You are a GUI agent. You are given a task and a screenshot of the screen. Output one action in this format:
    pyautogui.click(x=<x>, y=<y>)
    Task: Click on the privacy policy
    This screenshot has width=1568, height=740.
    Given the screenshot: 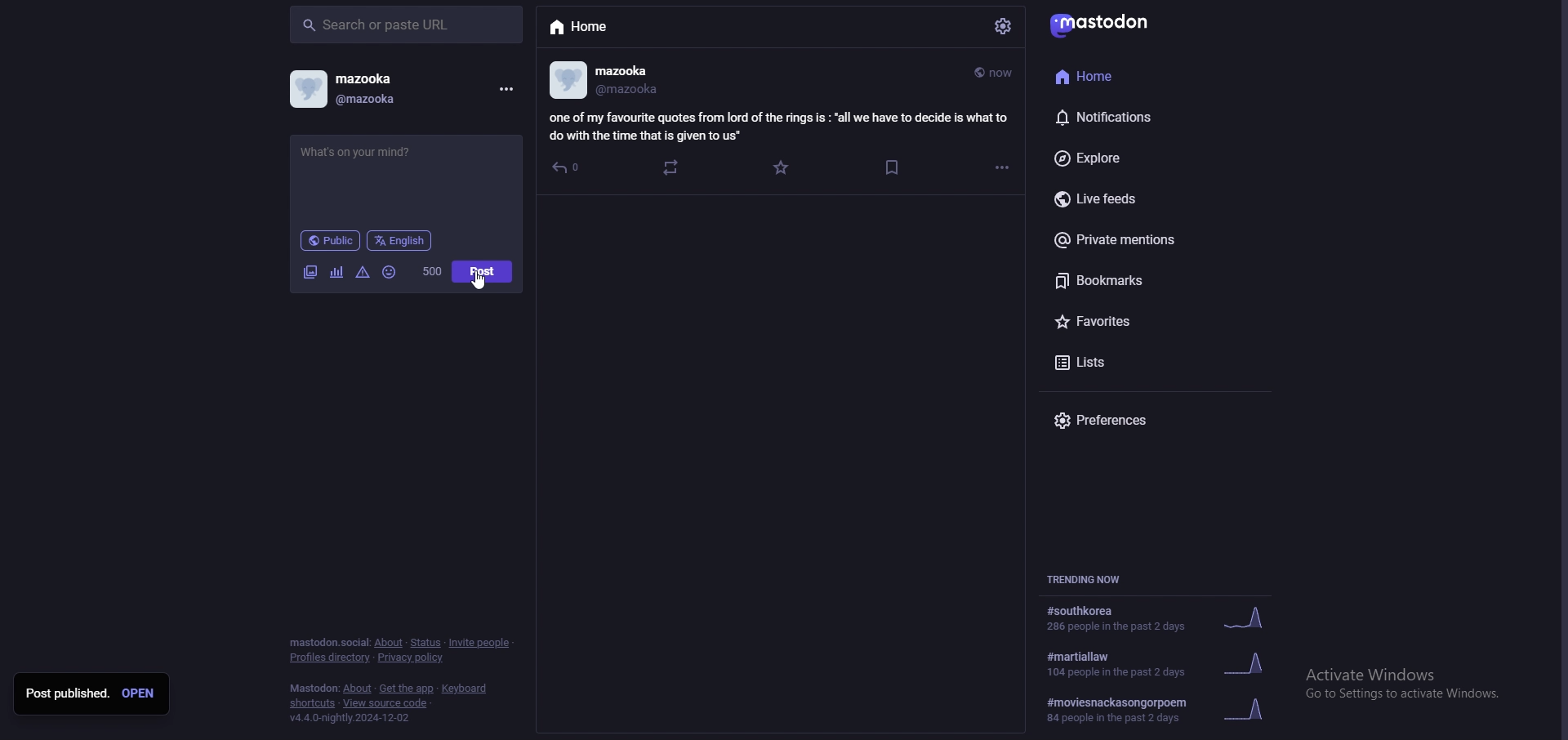 What is the action you would take?
    pyautogui.click(x=410, y=658)
    